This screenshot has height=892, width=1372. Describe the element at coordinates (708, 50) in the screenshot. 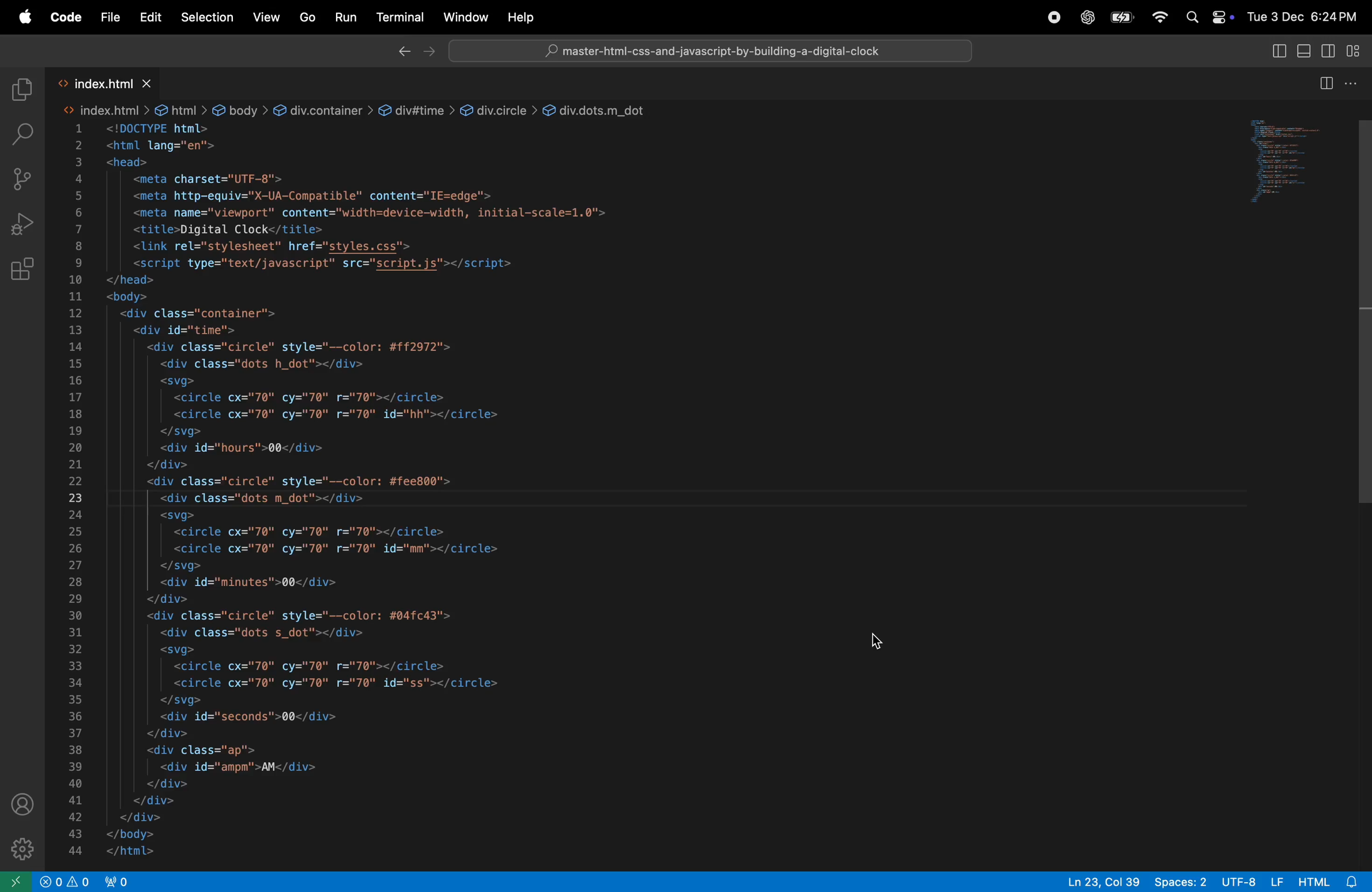

I see `search bar` at that location.